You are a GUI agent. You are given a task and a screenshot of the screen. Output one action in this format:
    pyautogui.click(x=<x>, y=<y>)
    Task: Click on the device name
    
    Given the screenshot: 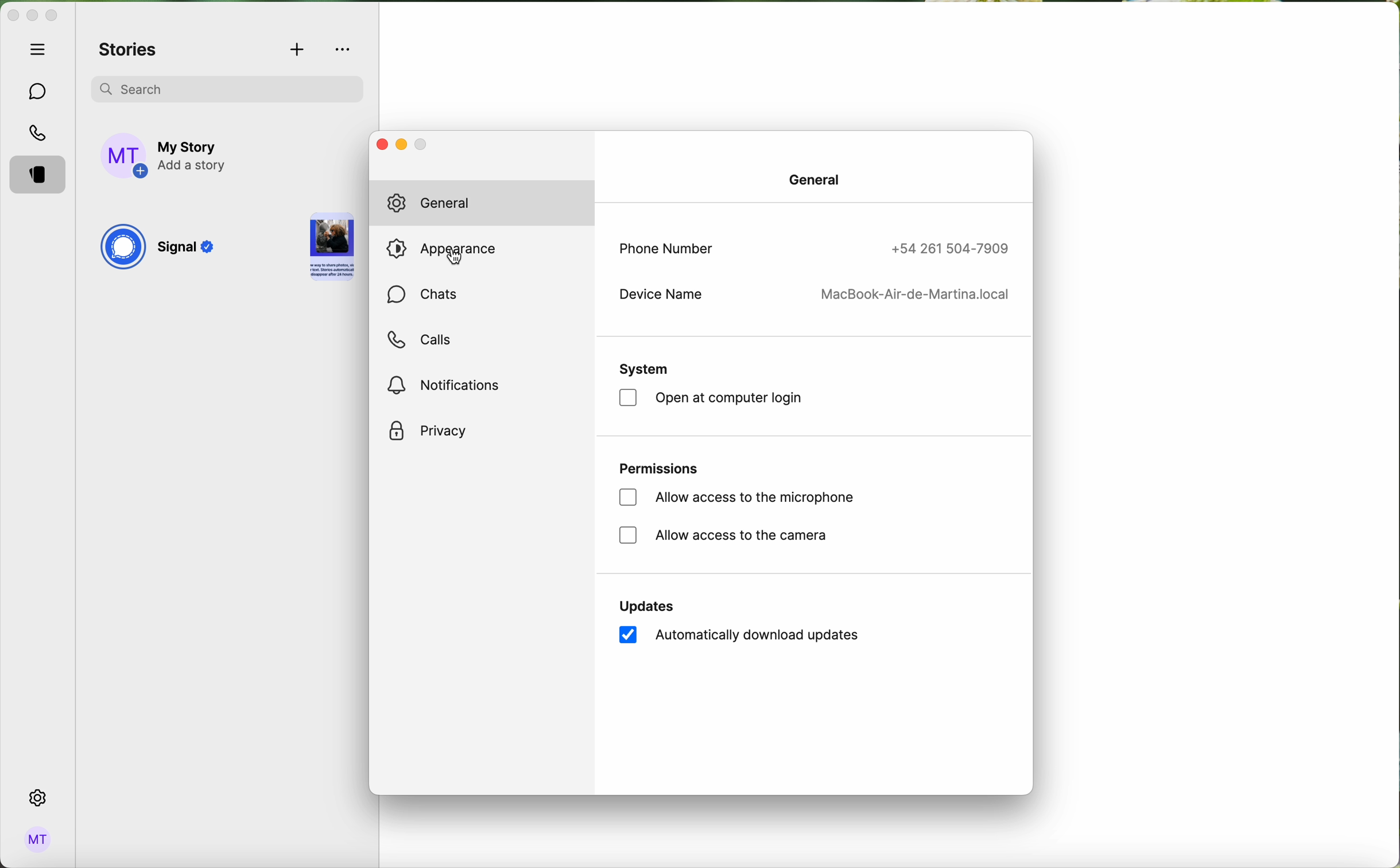 What is the action you would take?
    pyautogui.click(x=812, y=293)
    